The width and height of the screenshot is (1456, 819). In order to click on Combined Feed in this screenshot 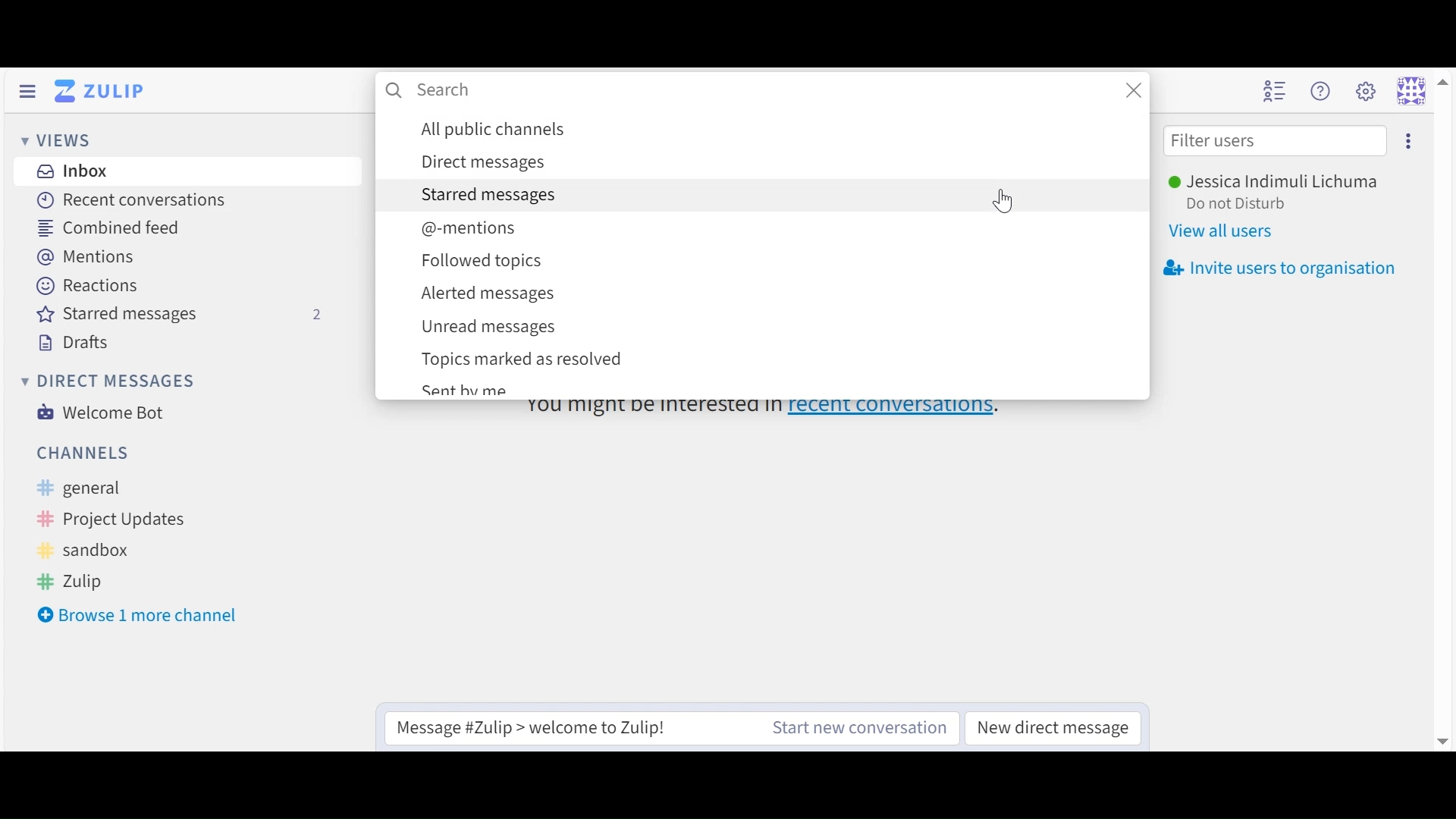, I will do `click(103, 227)`.